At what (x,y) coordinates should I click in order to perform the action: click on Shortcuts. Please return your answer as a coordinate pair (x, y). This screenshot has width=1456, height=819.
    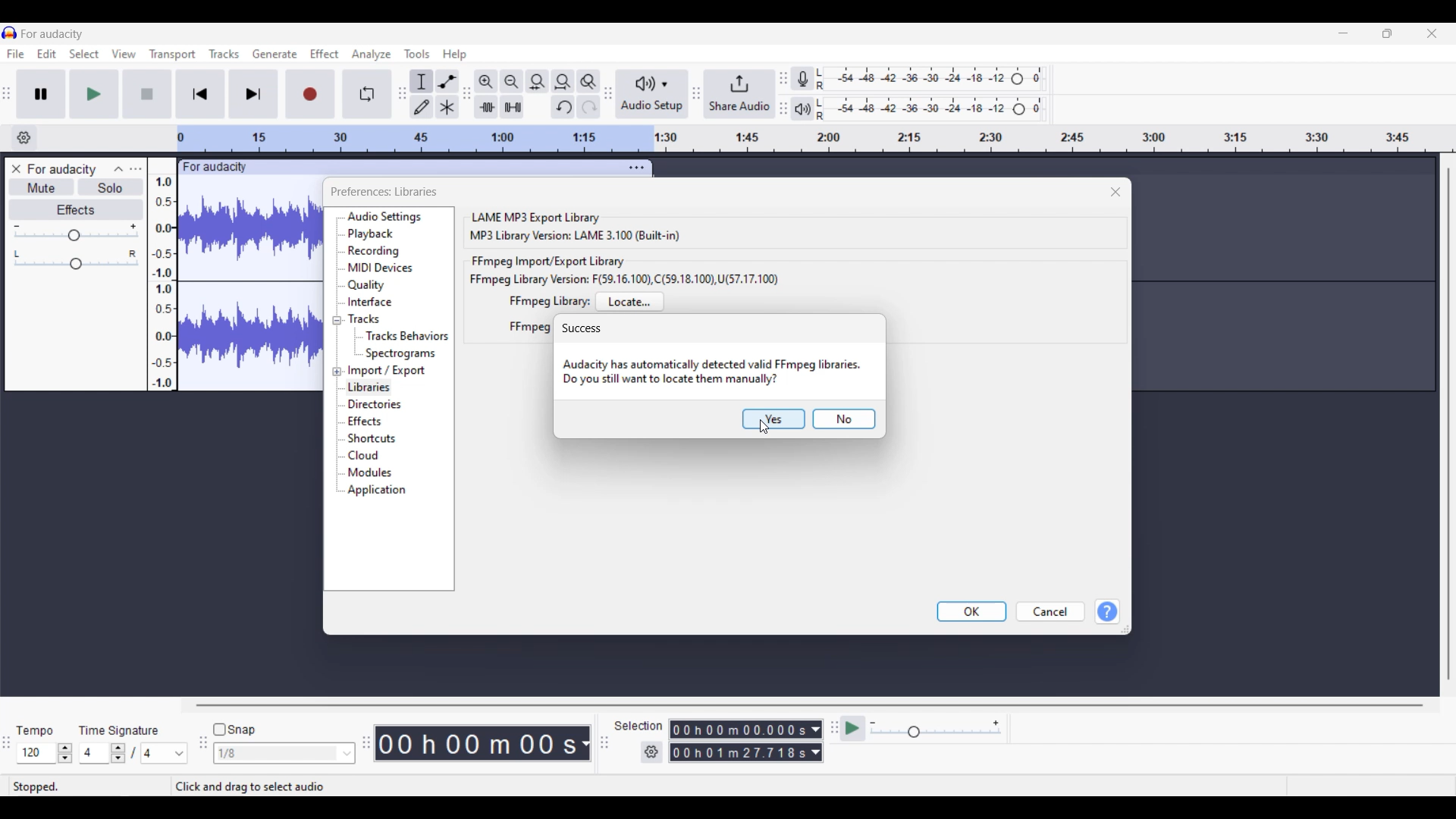
    Looking at the image, I should click on (373, 438).